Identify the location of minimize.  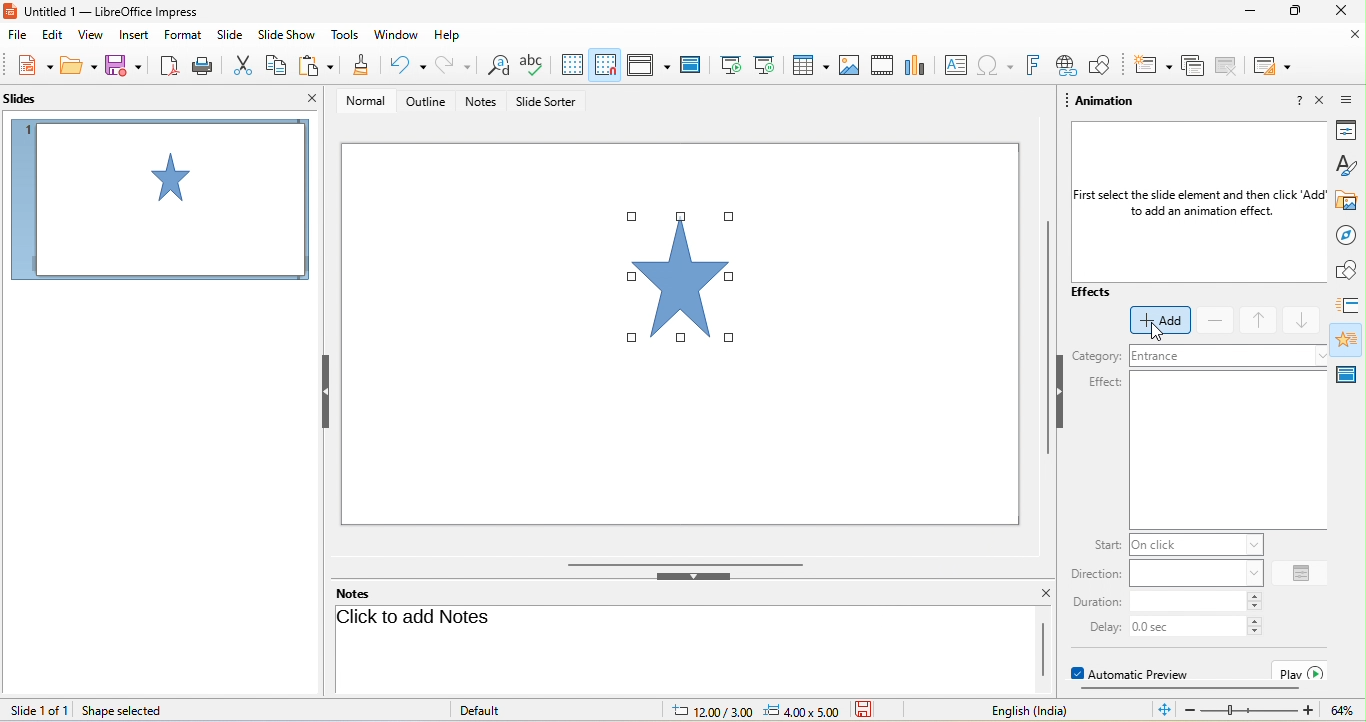
(1253, 10).